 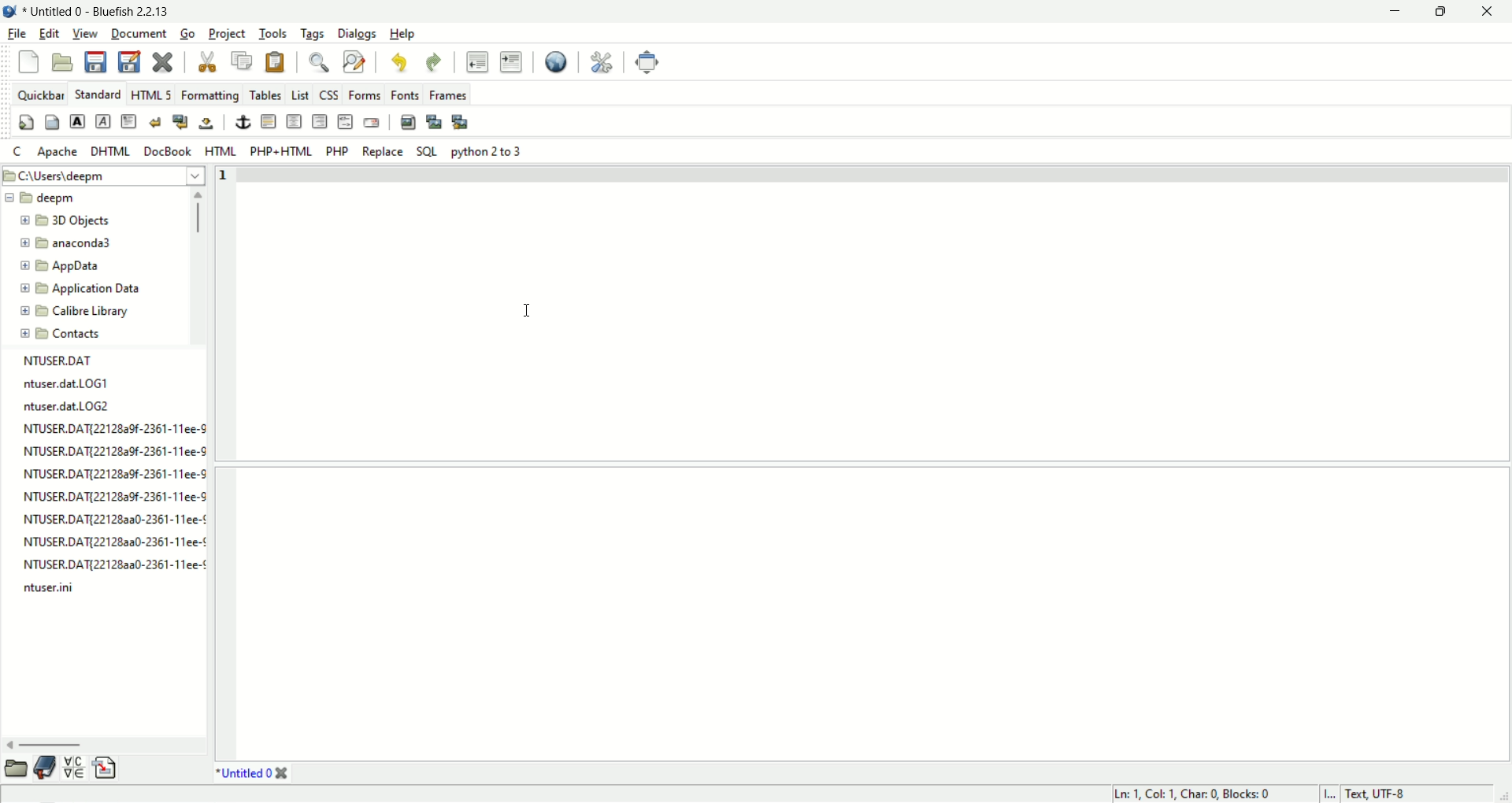 What do you see at coordinates (169, 150) in the screenshot?
I see `DocBook` at bounding box center [169, 150].